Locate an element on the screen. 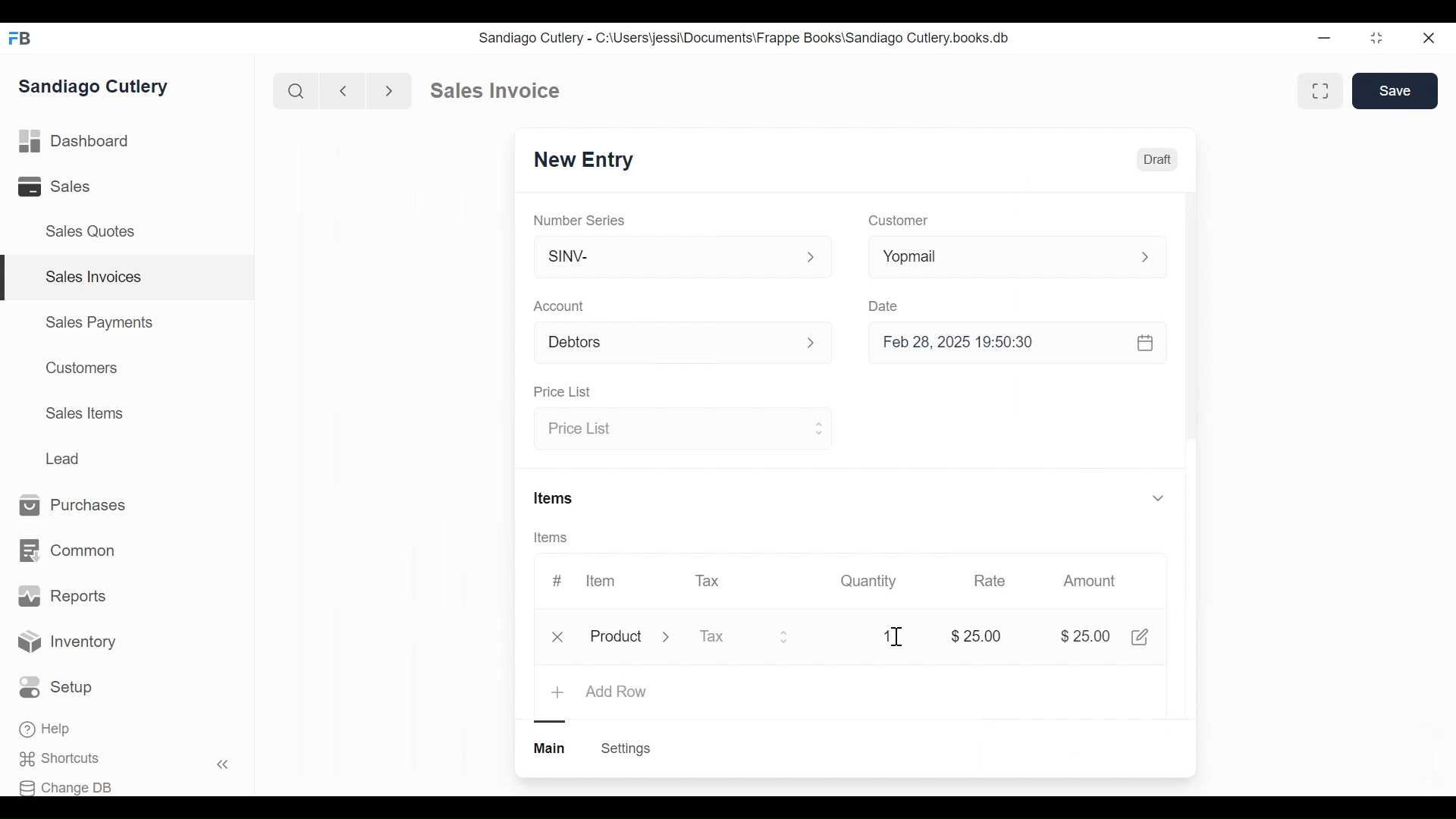 Image resolution: width=1456 pixels, height=819 pixels. Shortcuts is located at coordinates (65, 759).